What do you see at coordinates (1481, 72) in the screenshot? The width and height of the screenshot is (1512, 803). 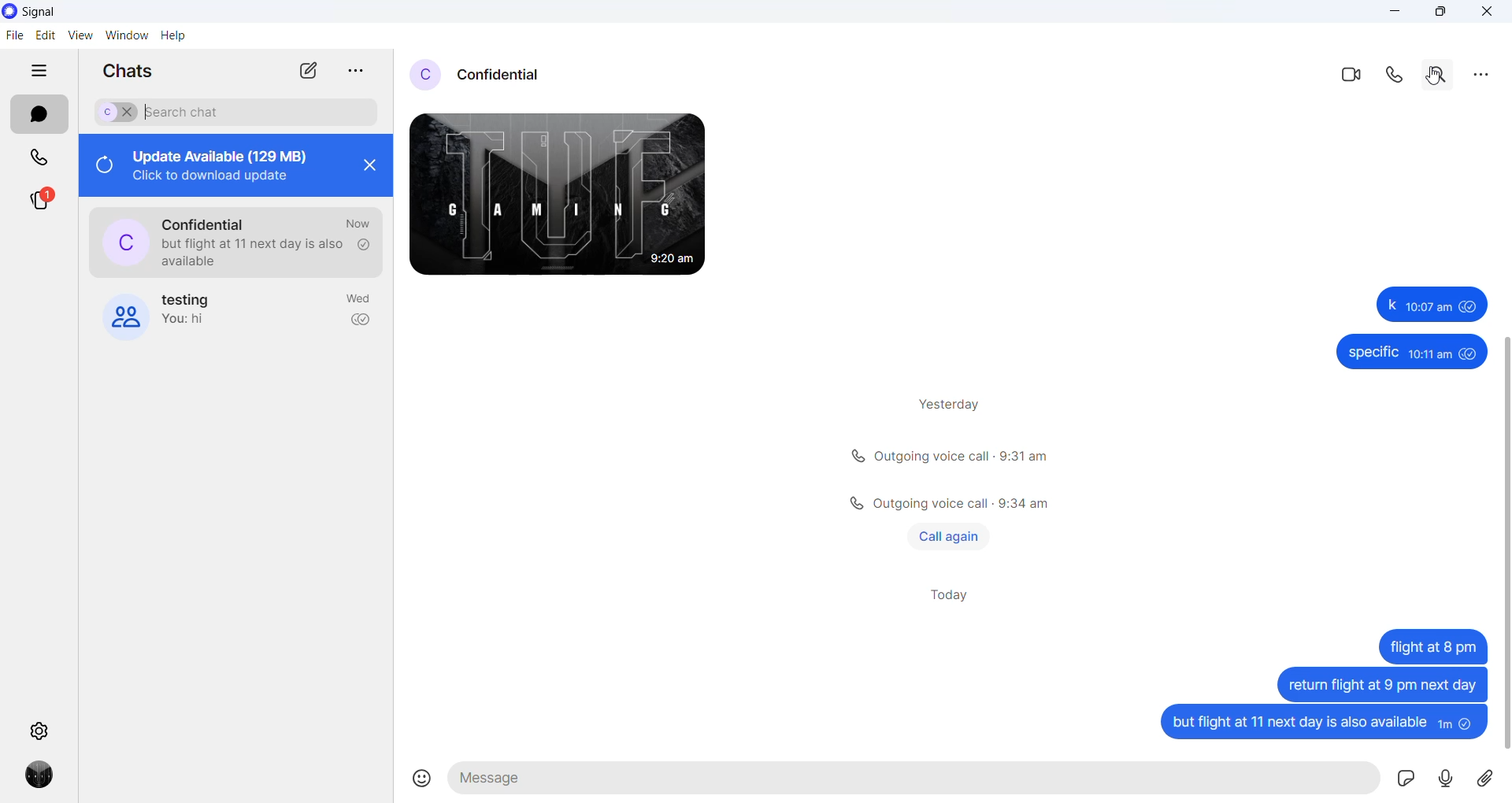 I see `more options` at bounding box center [1481, 72].